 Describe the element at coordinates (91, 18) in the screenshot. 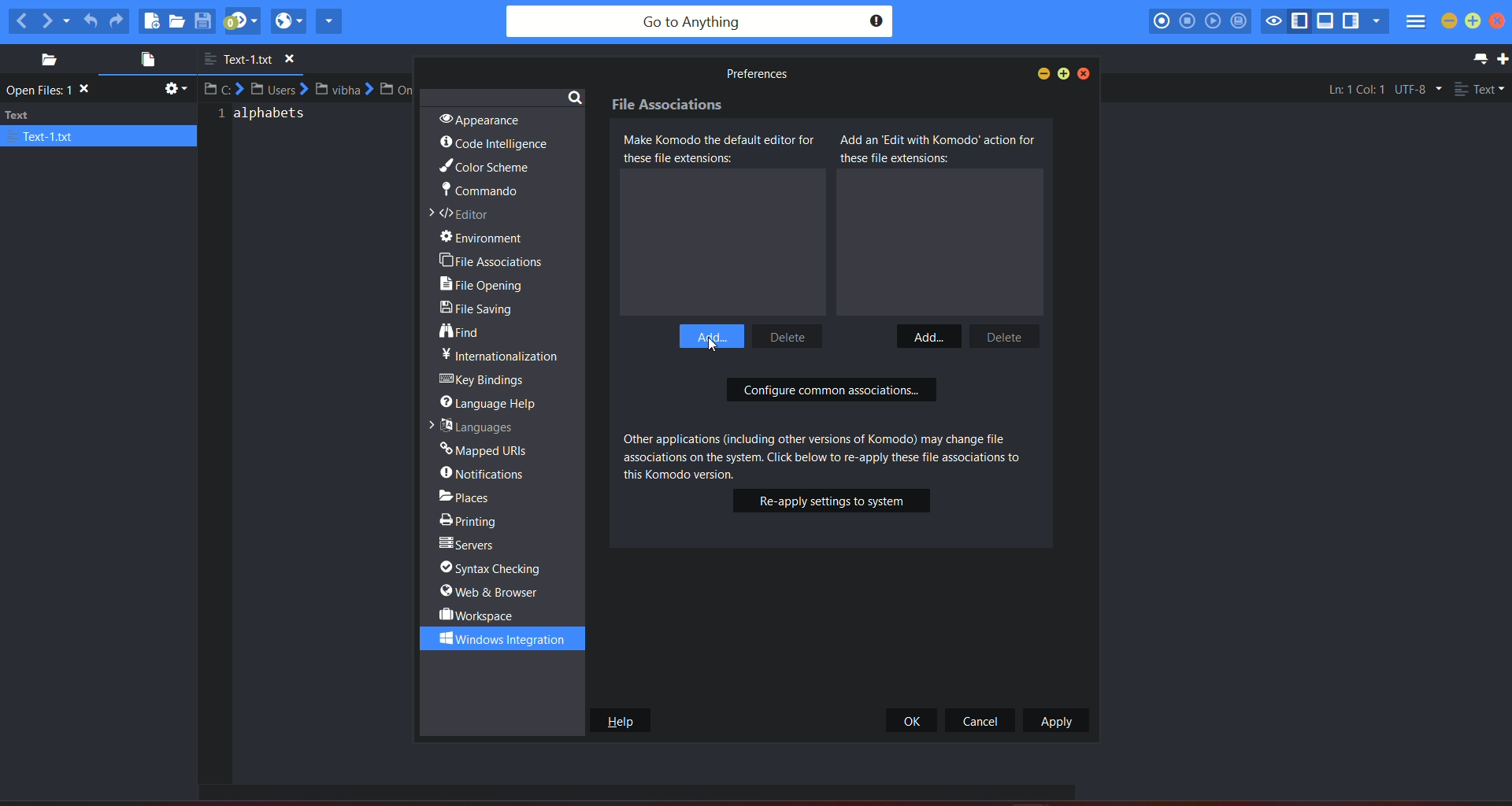

I see `undo` at that location.